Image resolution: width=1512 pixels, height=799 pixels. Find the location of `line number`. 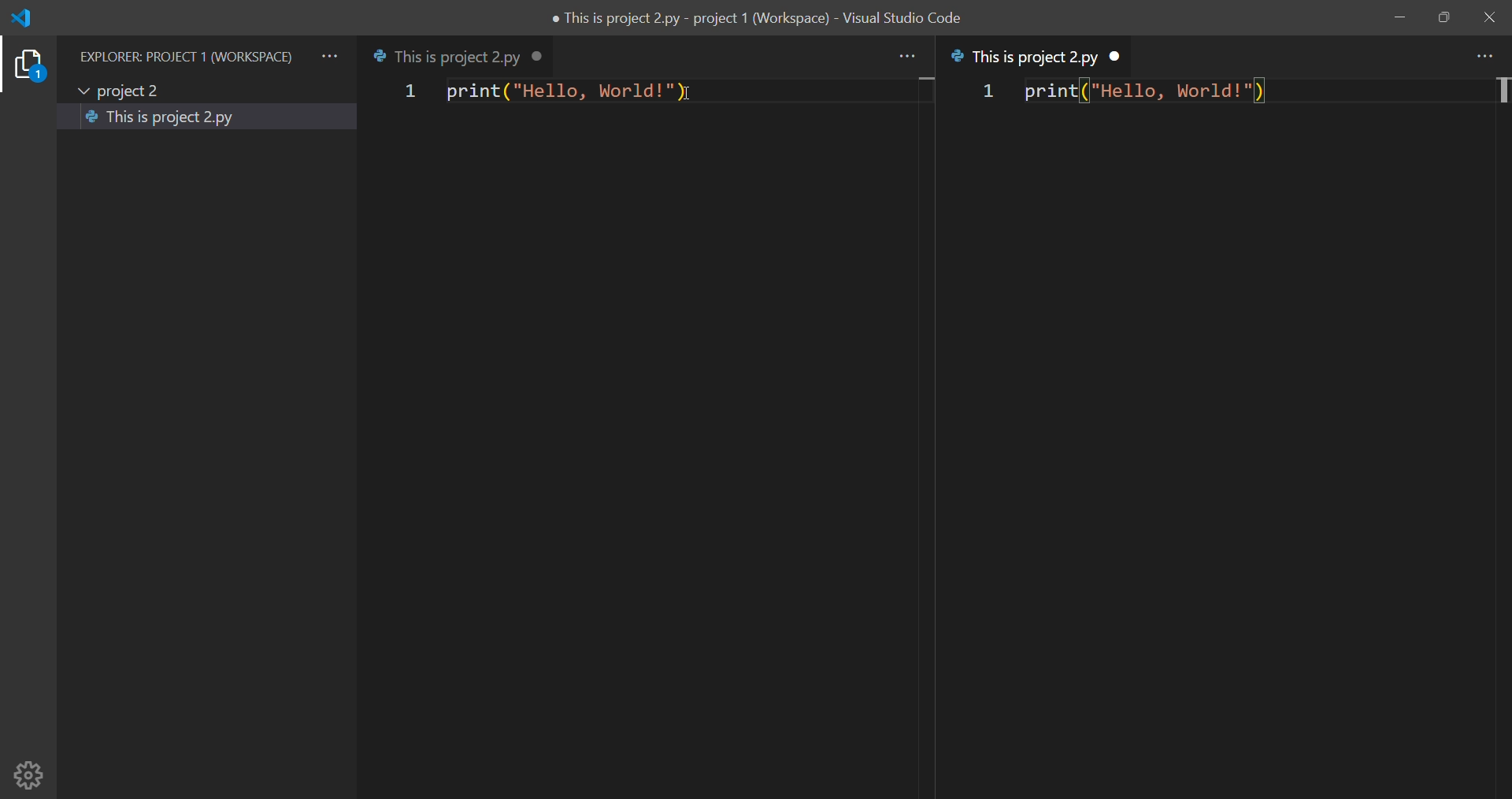

line number is located at coordinates (982, 96).